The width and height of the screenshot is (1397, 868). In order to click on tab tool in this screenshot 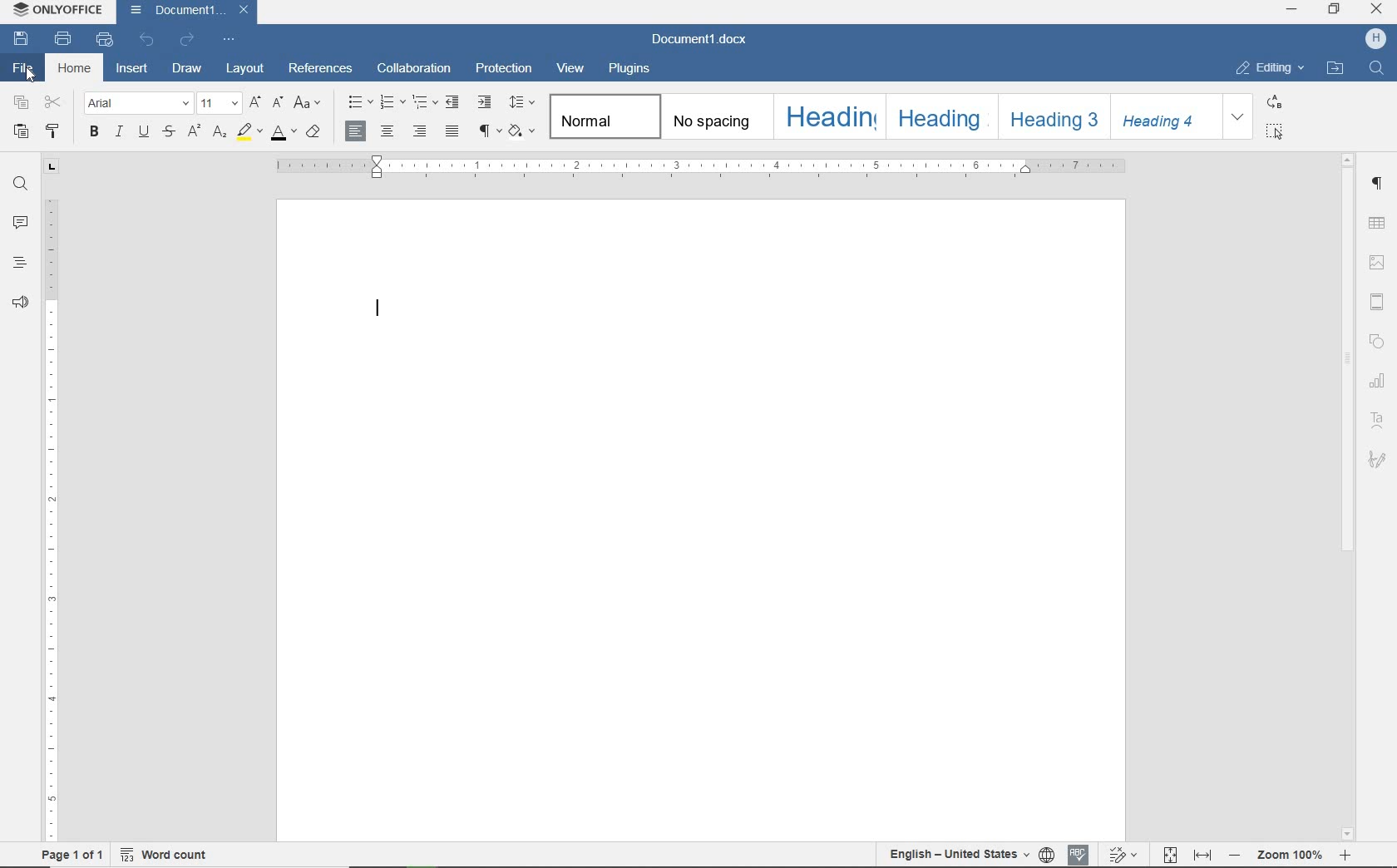, I will do `click(51, 169)`.